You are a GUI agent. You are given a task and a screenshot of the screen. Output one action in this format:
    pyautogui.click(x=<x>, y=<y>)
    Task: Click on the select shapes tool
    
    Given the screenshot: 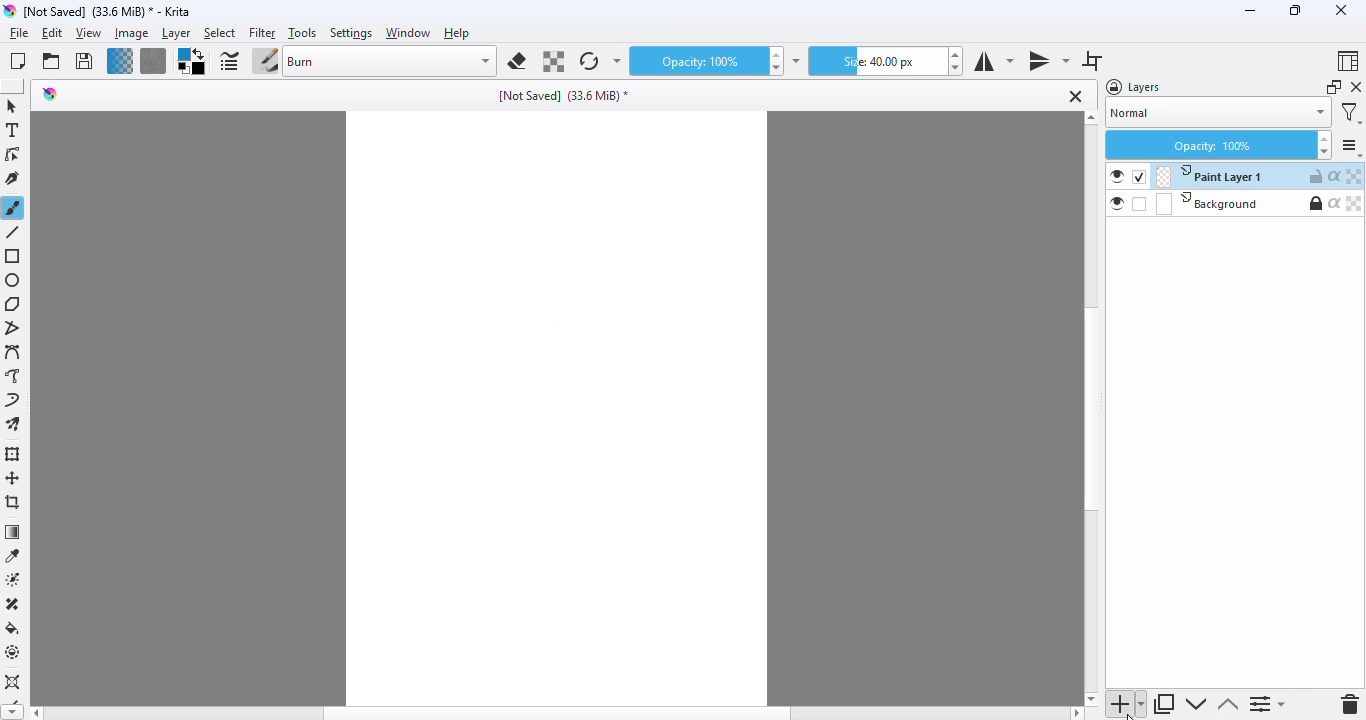 What is the action you would take?
    pyautogui.click(x=11, y=106)
    